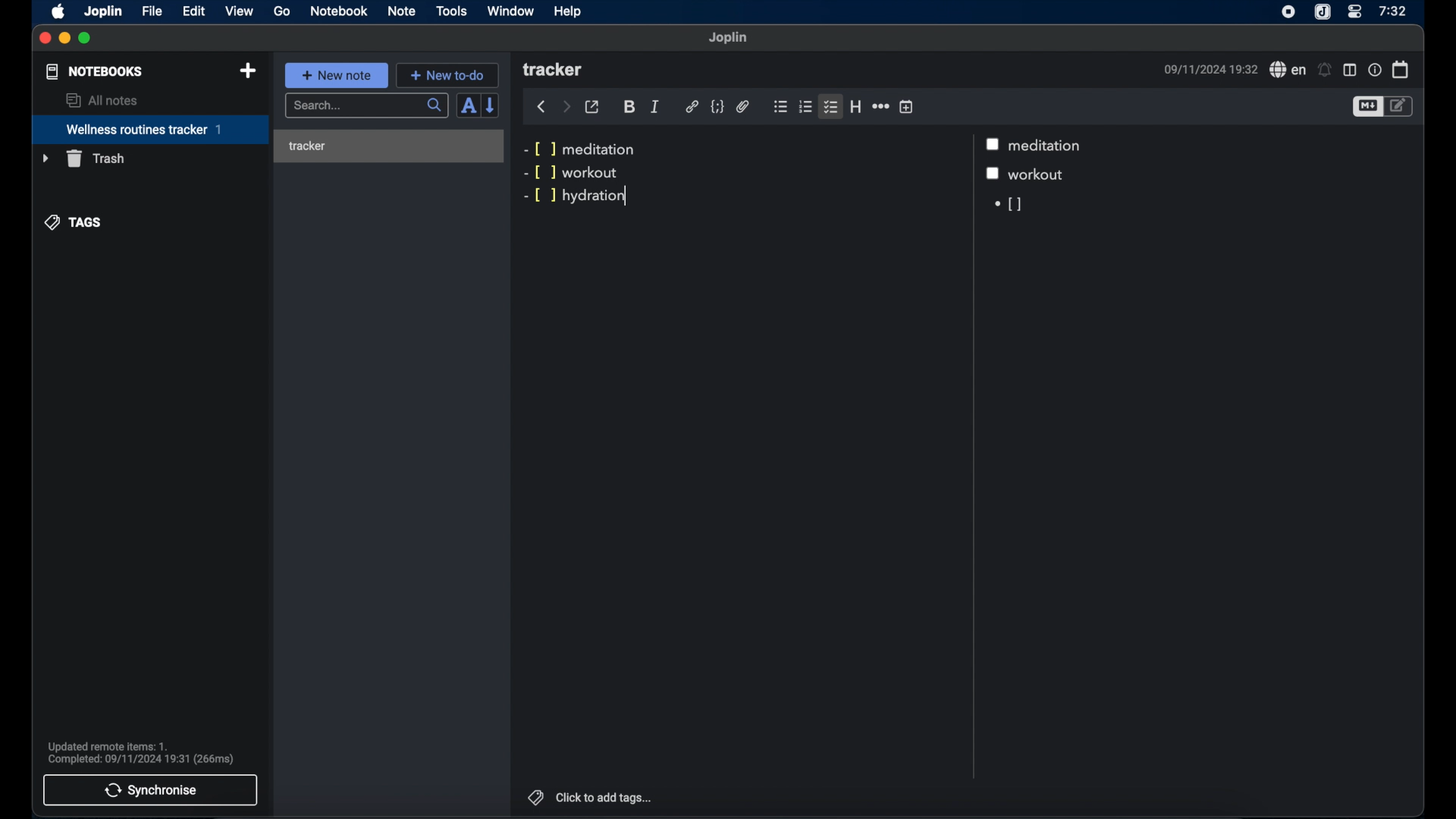 This screenshot has height=819, width=1456. I want to click on go, so click(282, 11).